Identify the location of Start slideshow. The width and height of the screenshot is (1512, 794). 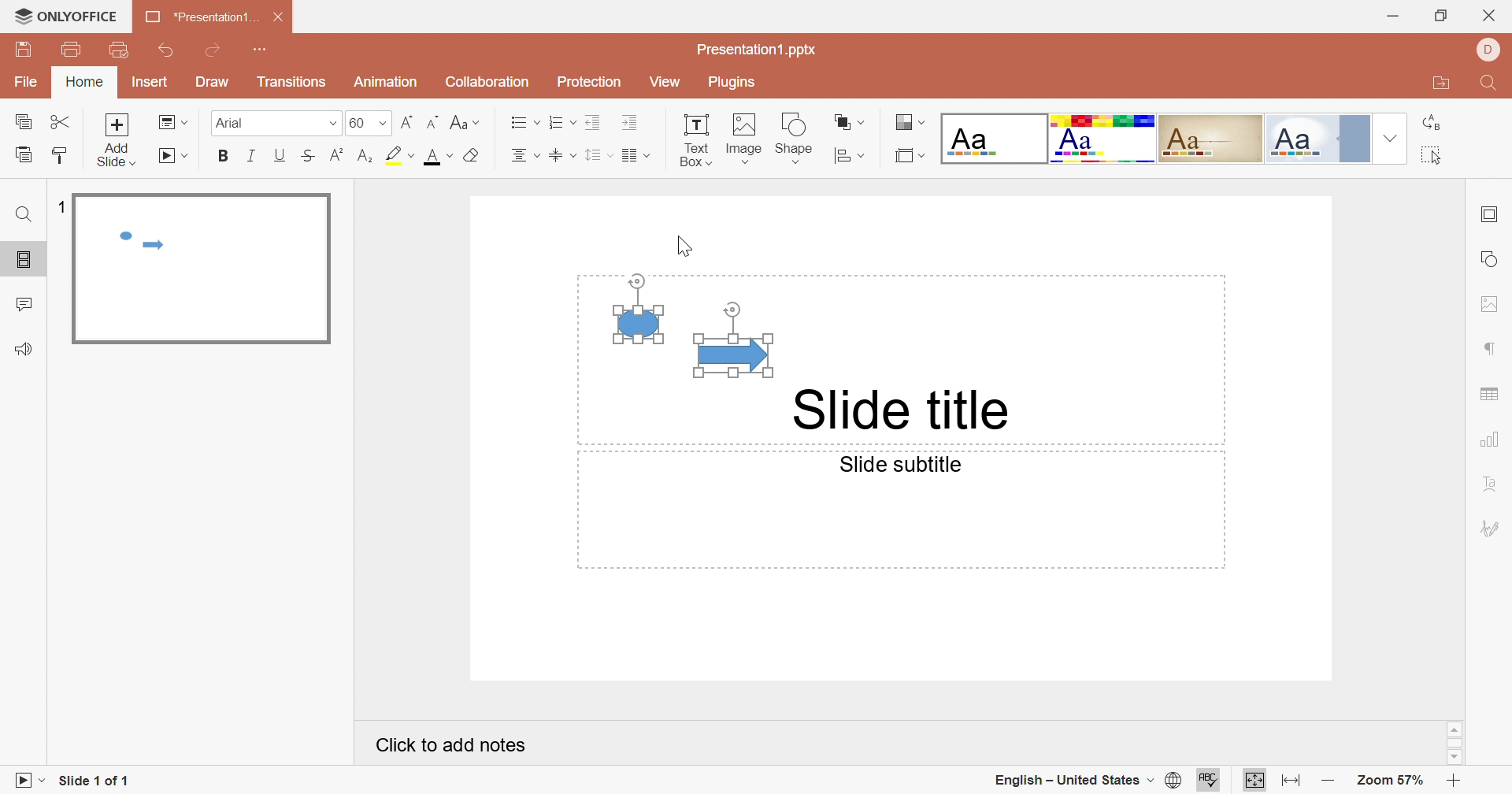
(171, 156).